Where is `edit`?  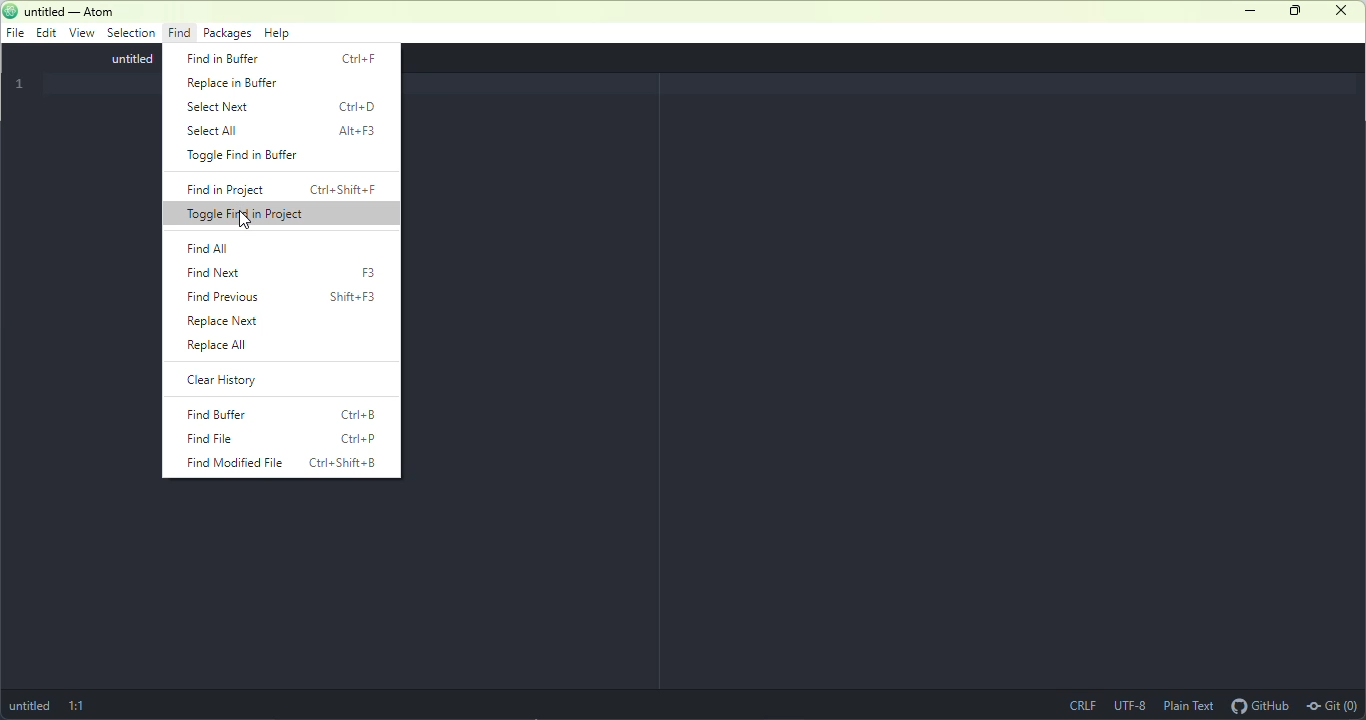 edit is located at coordinates (44, 32).